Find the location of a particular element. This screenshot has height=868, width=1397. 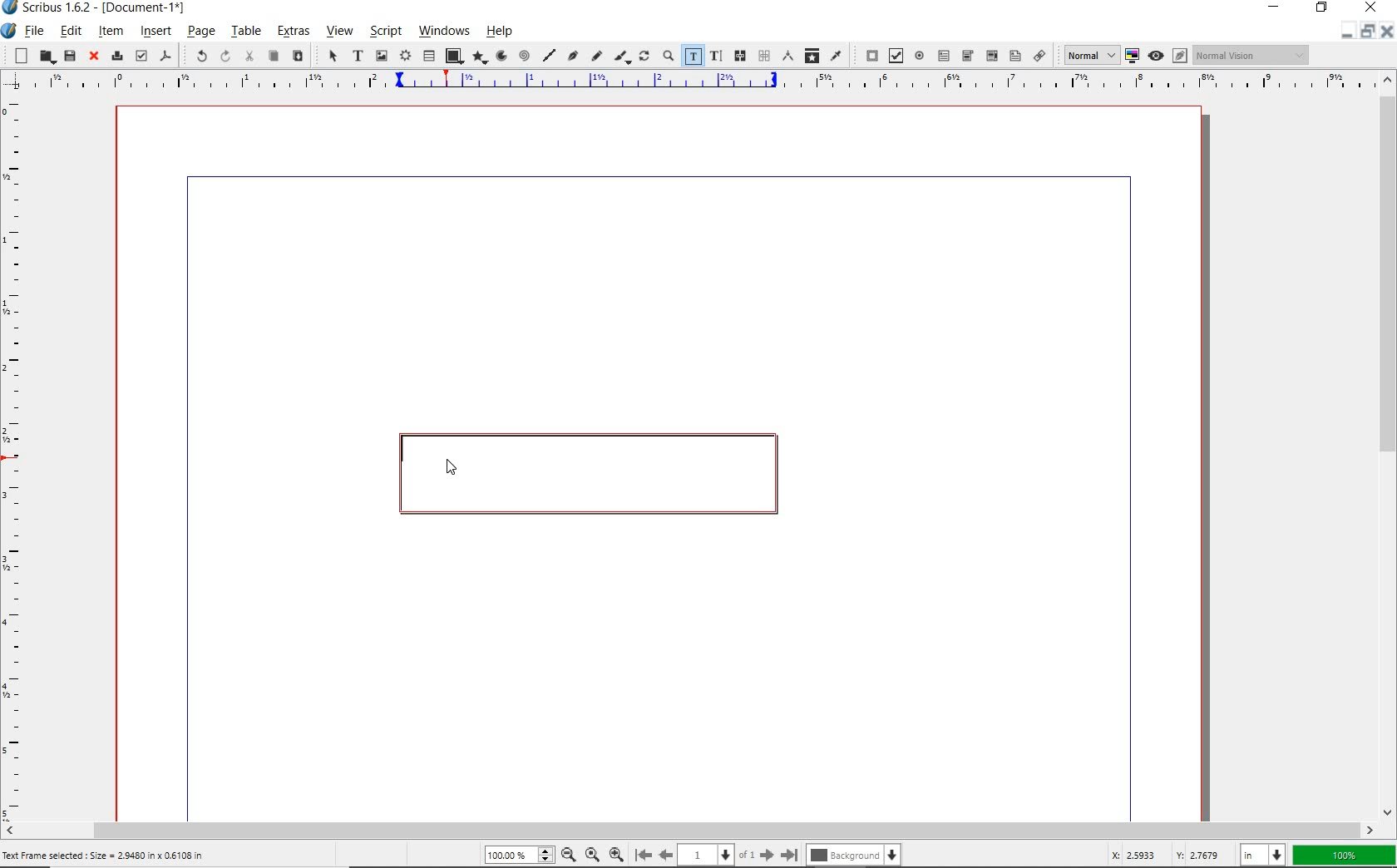

Normal vision is located at coordinates (1251, 56).